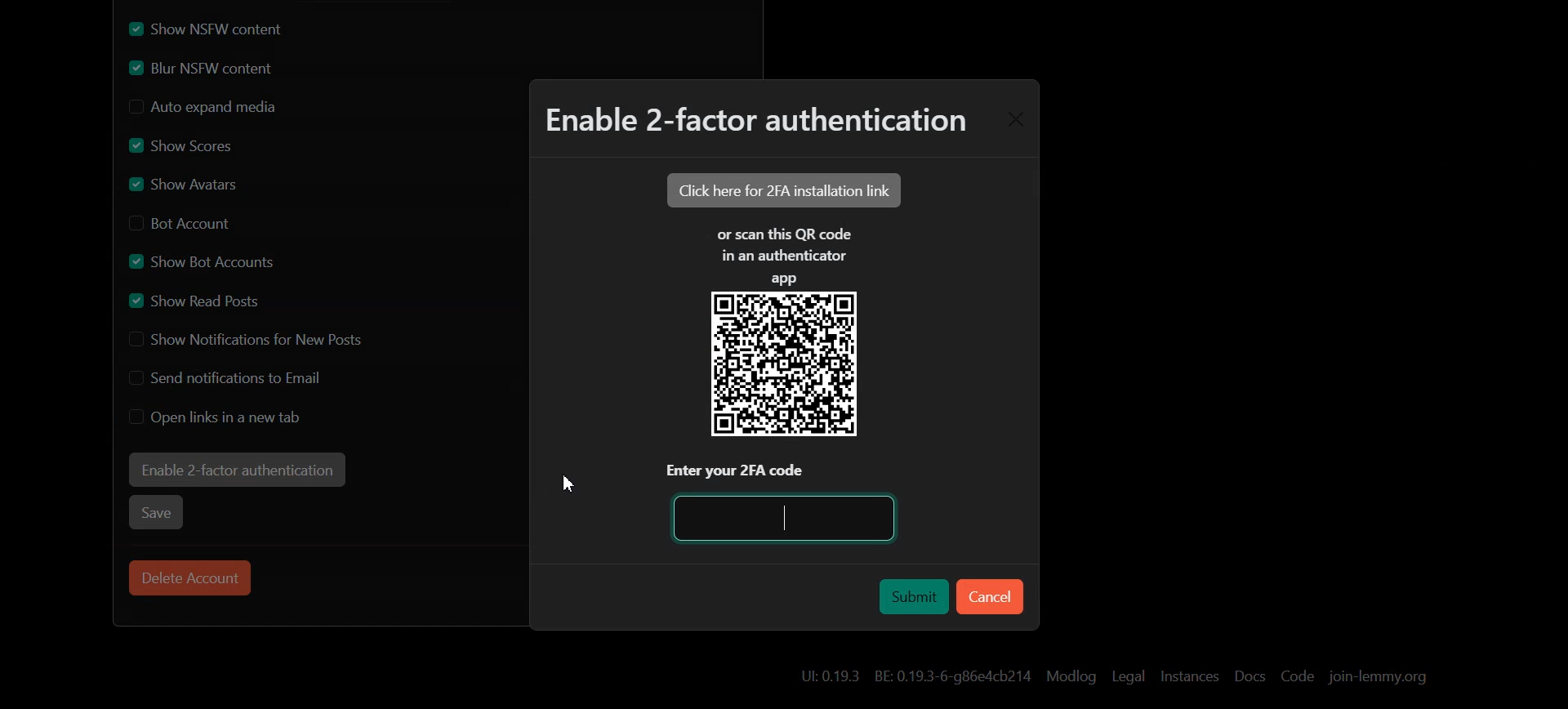  I want to click on Enable Show NSFW content, so click(229, 29).